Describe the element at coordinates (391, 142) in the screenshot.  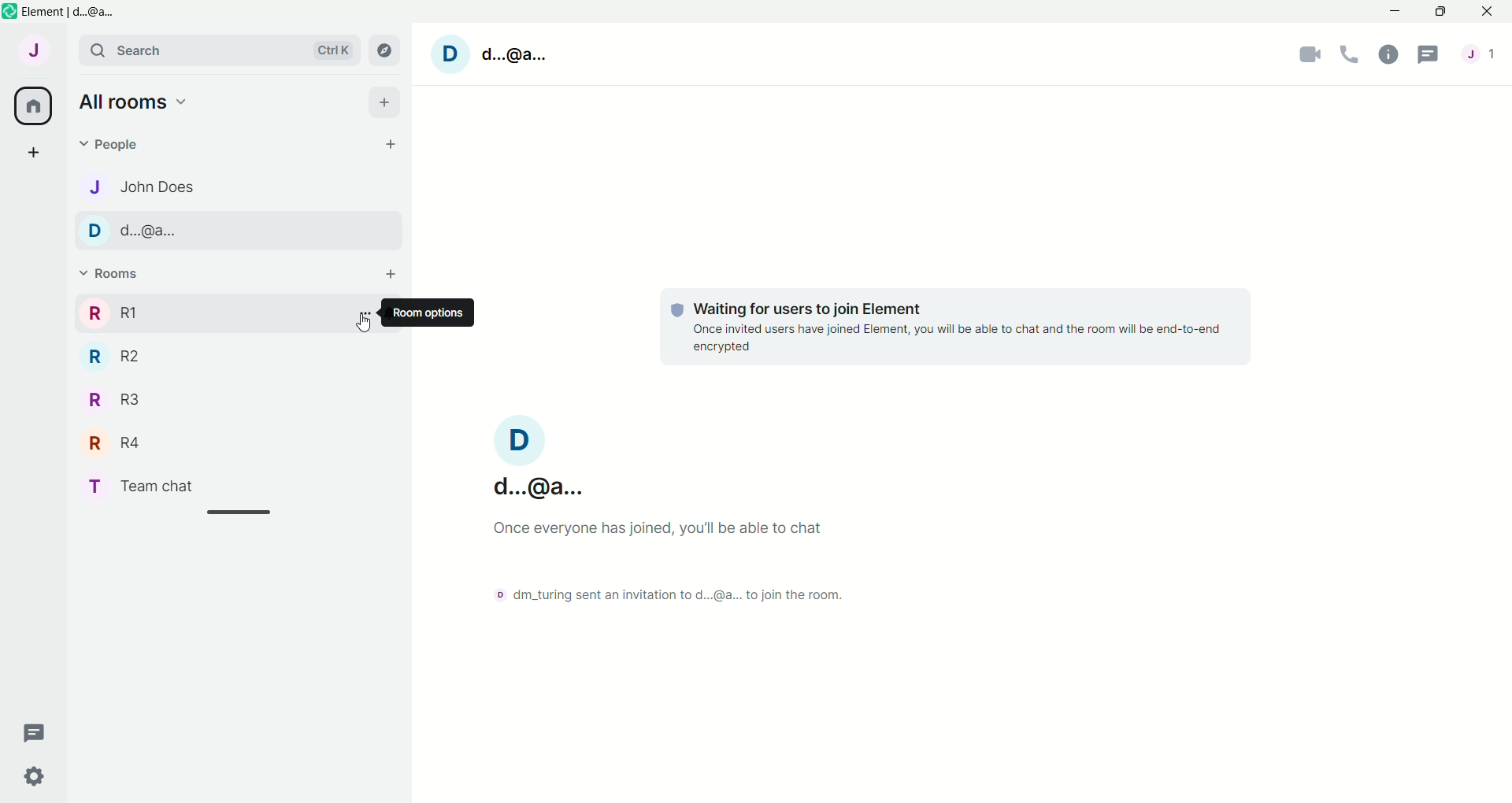
I see `+ Add People` at that location.